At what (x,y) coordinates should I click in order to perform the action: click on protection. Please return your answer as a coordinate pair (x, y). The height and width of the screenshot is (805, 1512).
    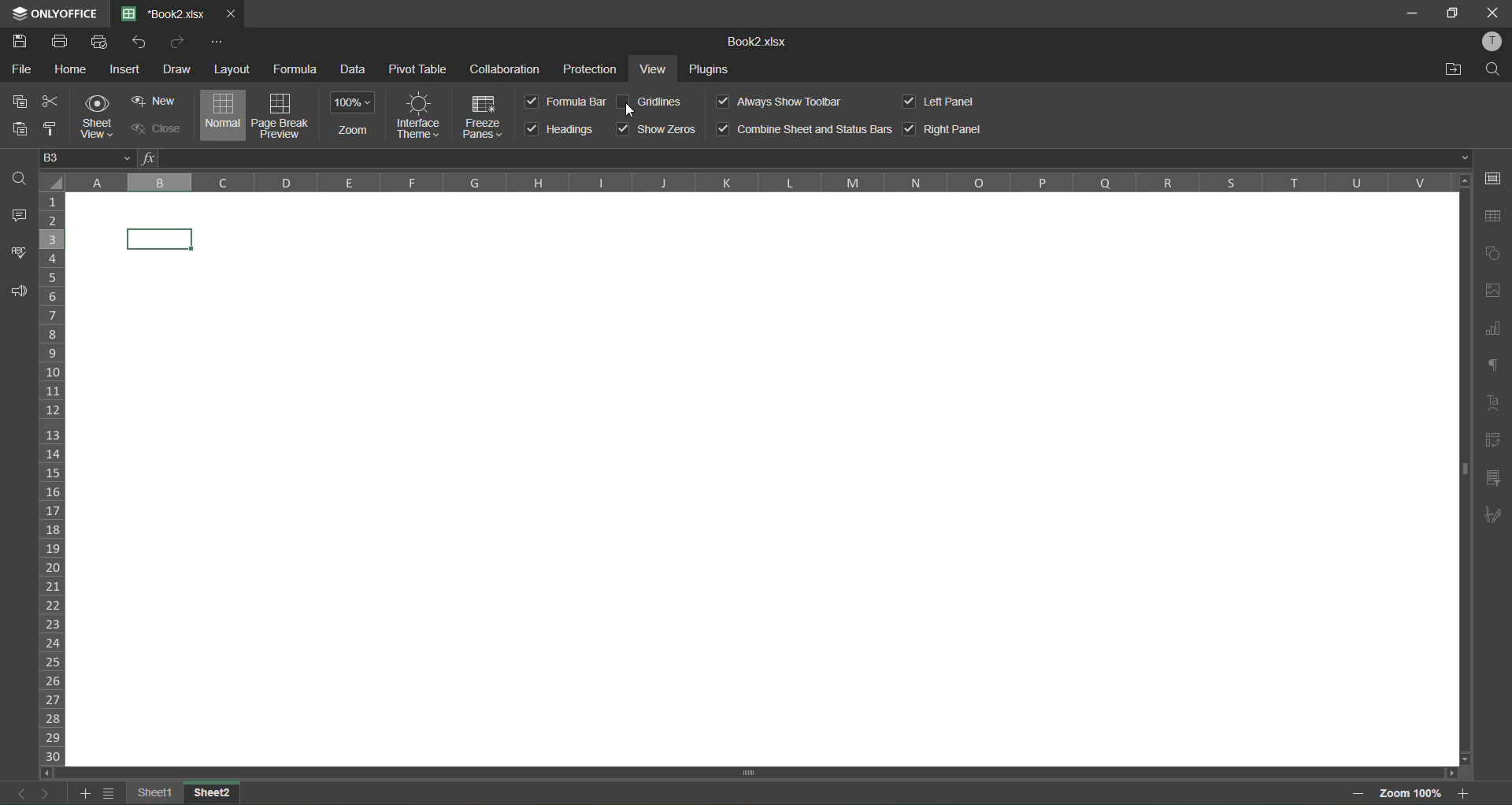
    Looking at the image, I should click on (591, 69).